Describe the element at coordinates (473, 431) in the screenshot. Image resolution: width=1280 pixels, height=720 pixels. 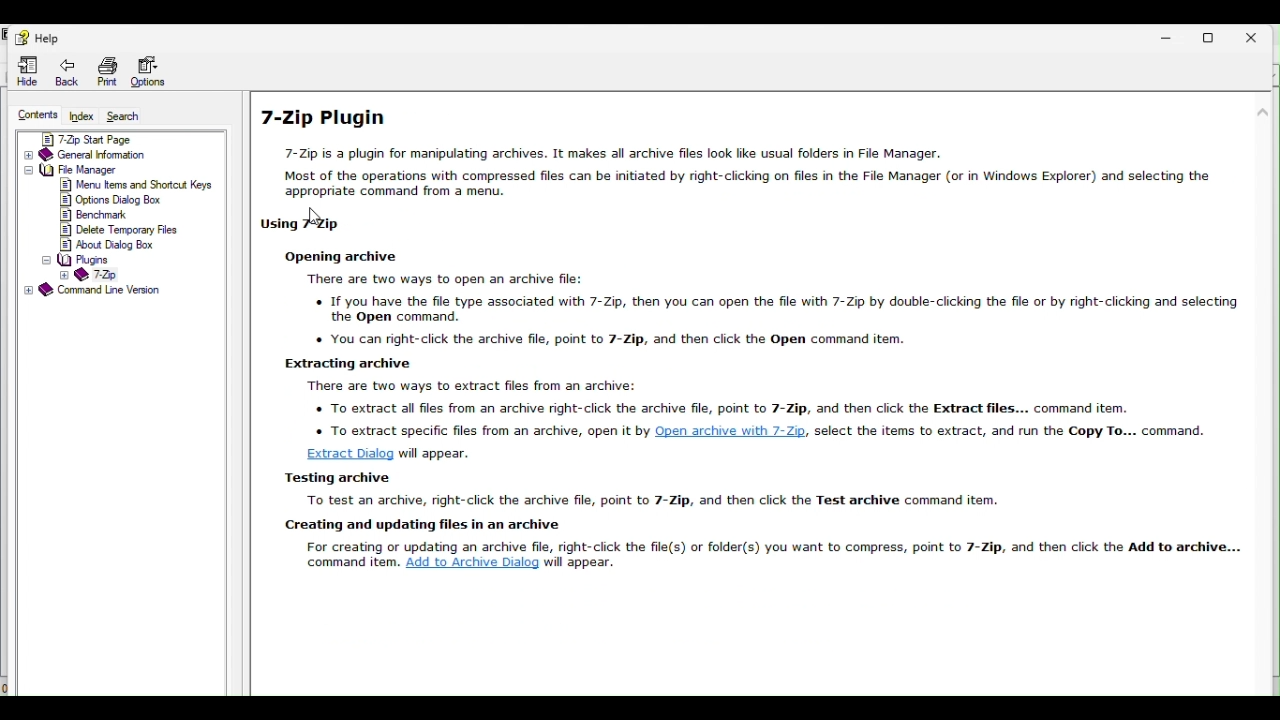
I see `o To extract specific files from an archive, open It by` at that location.